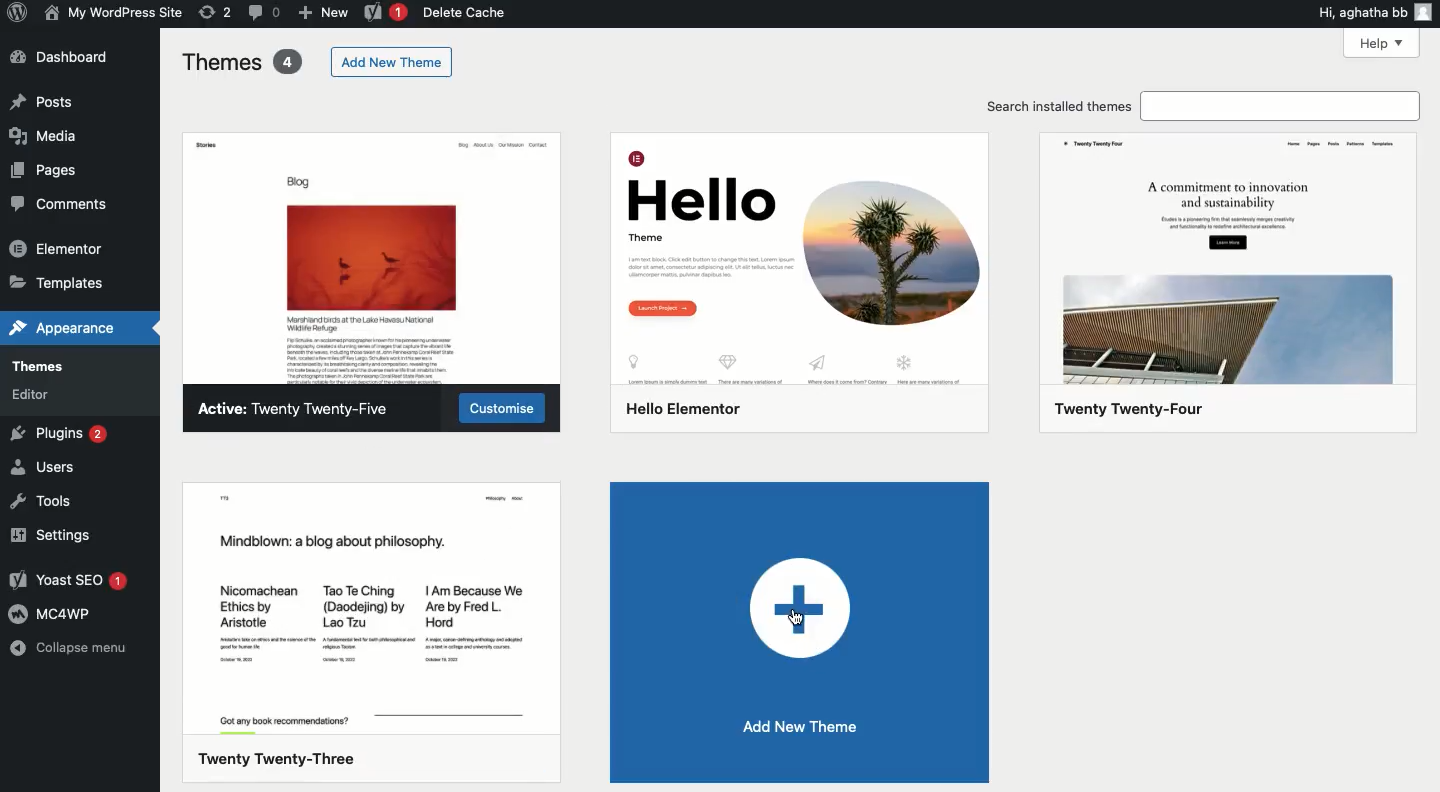 Image resolution: width=1440 pixels, height=792 pixels. What do you see at coordinates (470, 12) in the screenshot?
I see `Delete cache` at bounding box center [470, 12].